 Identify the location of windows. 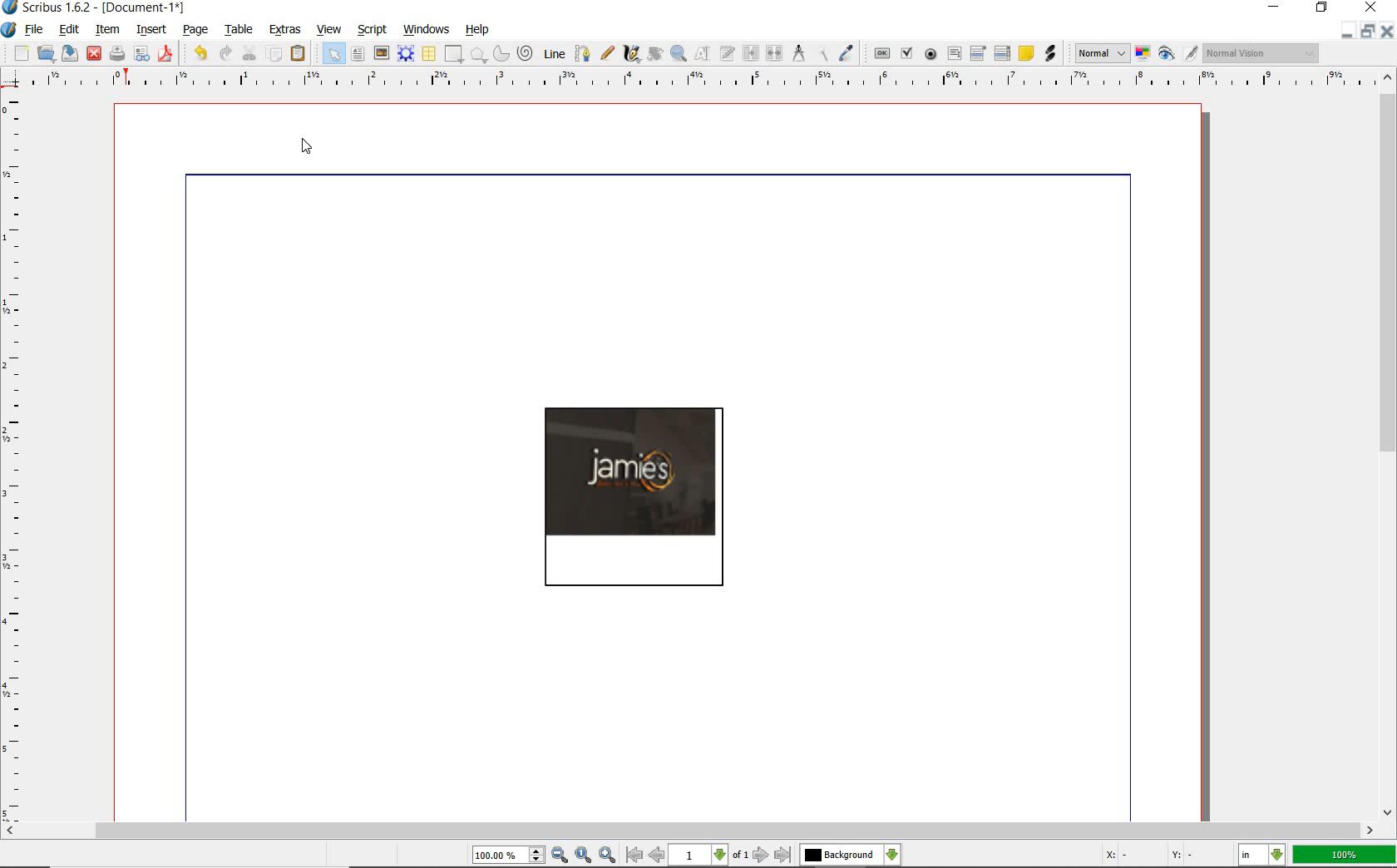
(429, 28).